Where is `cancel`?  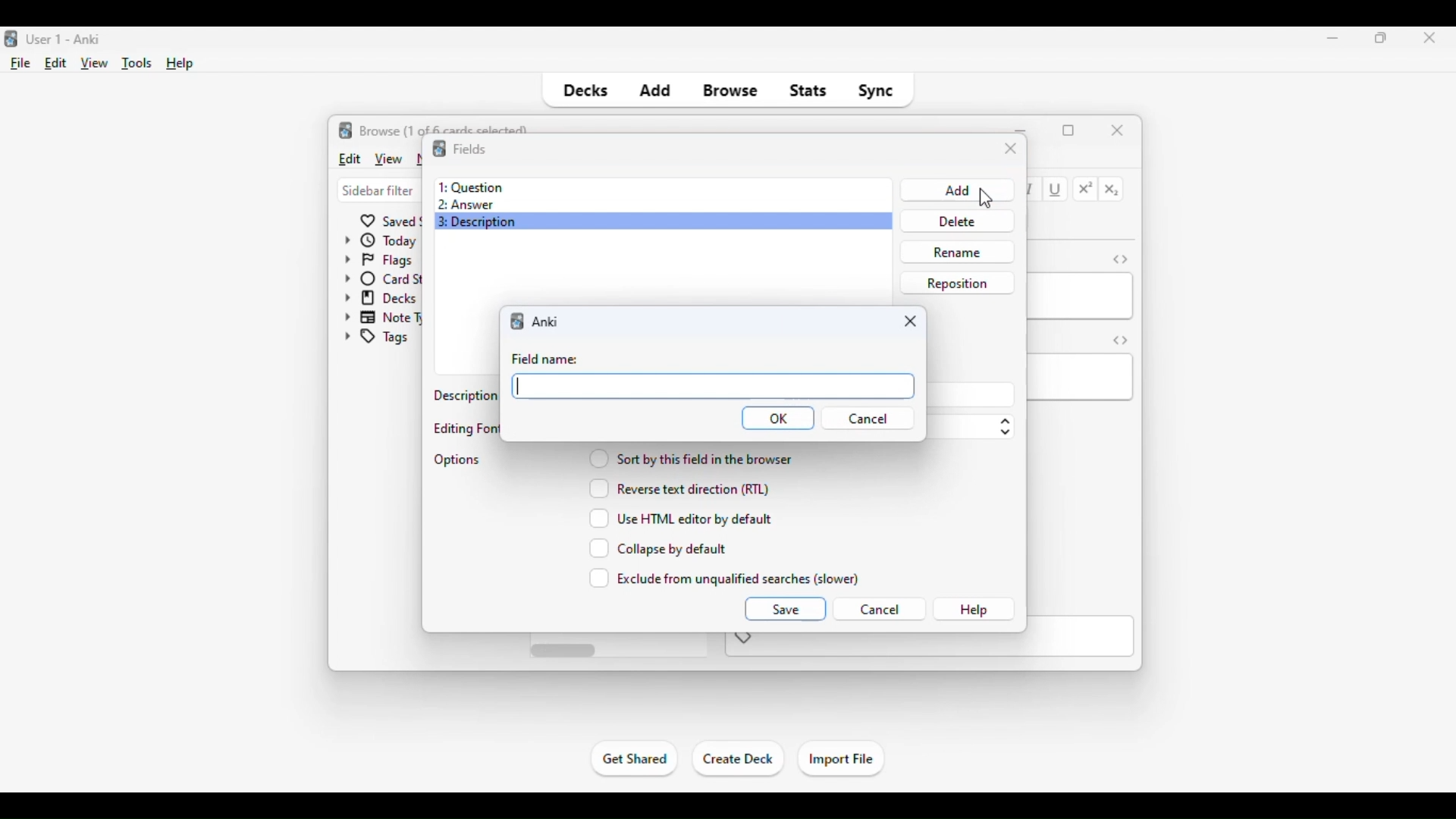
cancel is located at coordinates (879, 610).